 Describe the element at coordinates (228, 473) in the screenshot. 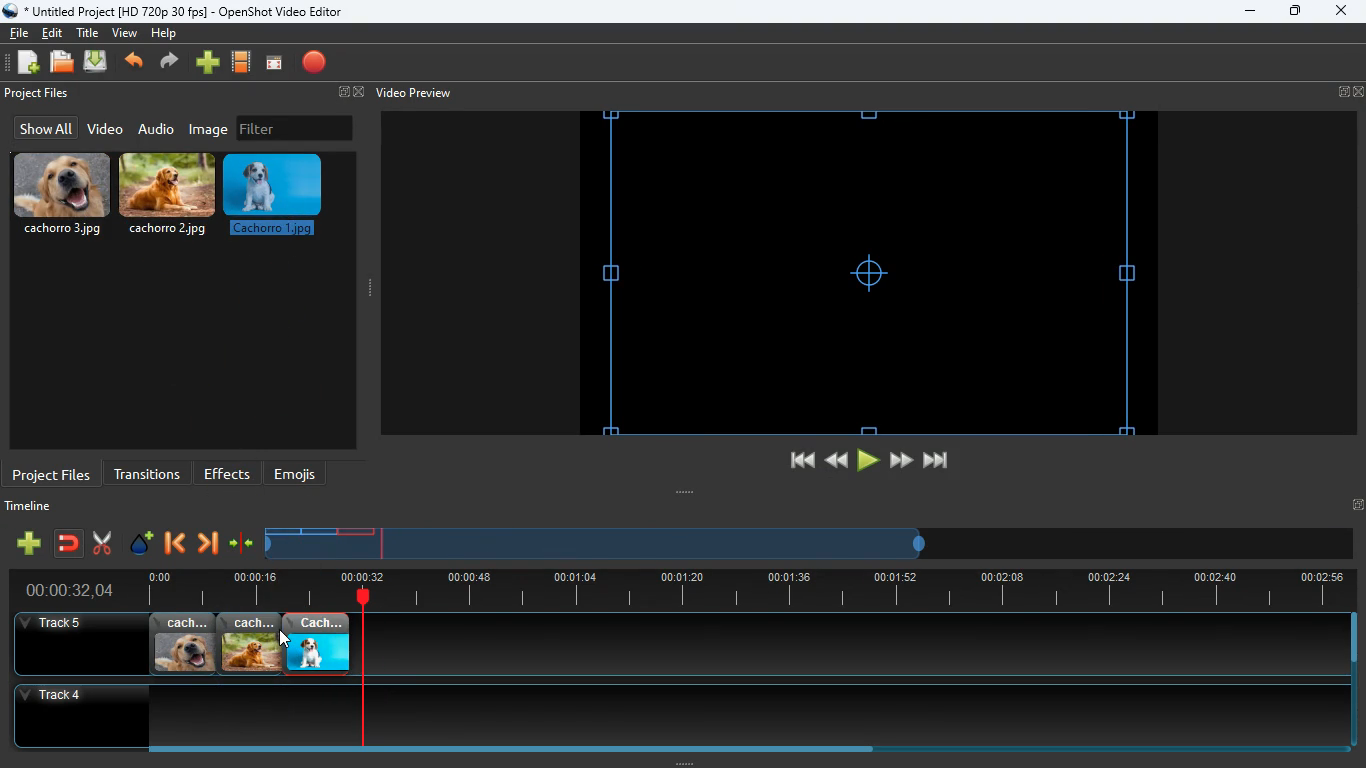

I see `effects` at that location.